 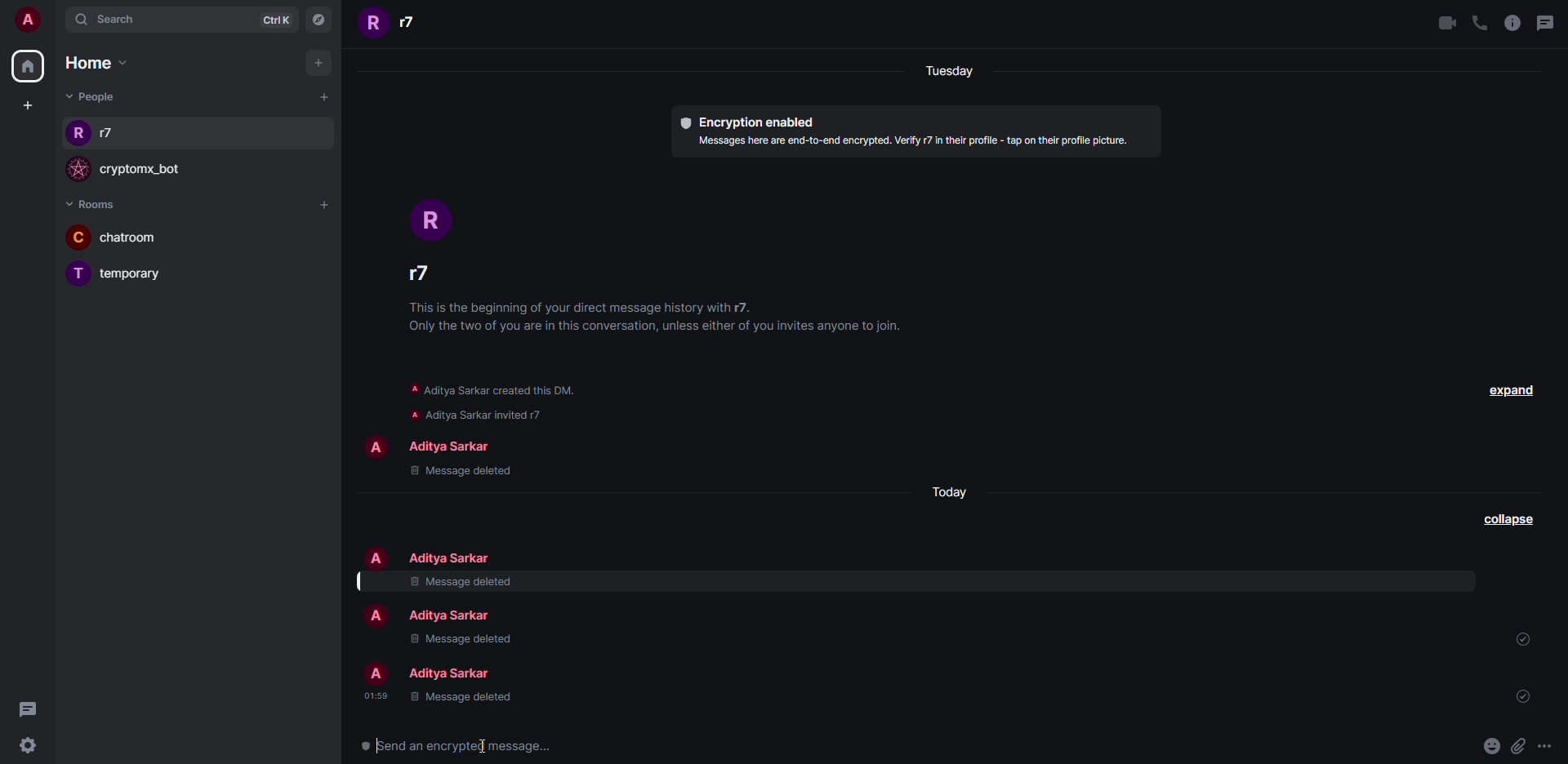 I want to click on room, so click(x=137, y=275).